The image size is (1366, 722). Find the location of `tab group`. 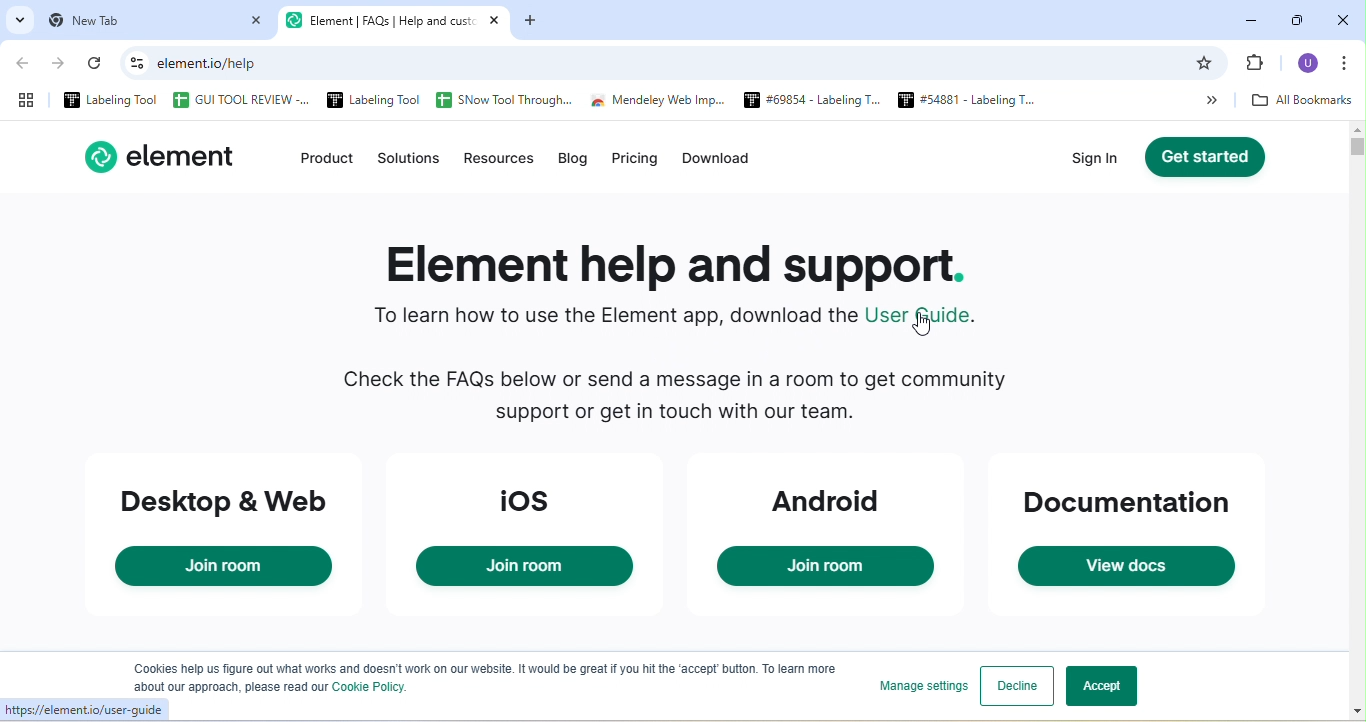

tab group is located at coordinates (27, 100).